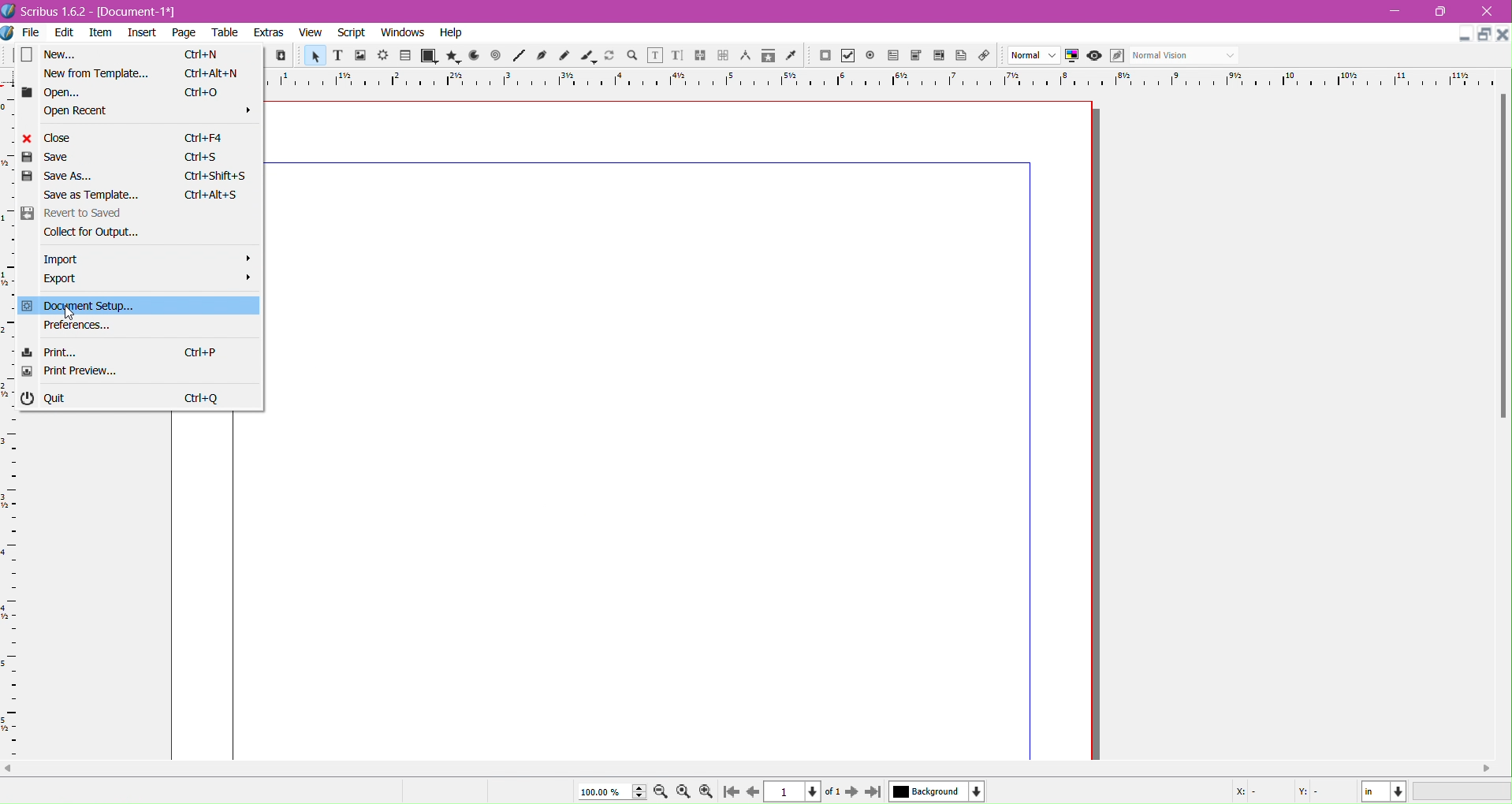  Describe the element at coordinates (496, 56) in the screenshot. I see `spiral` at that location.